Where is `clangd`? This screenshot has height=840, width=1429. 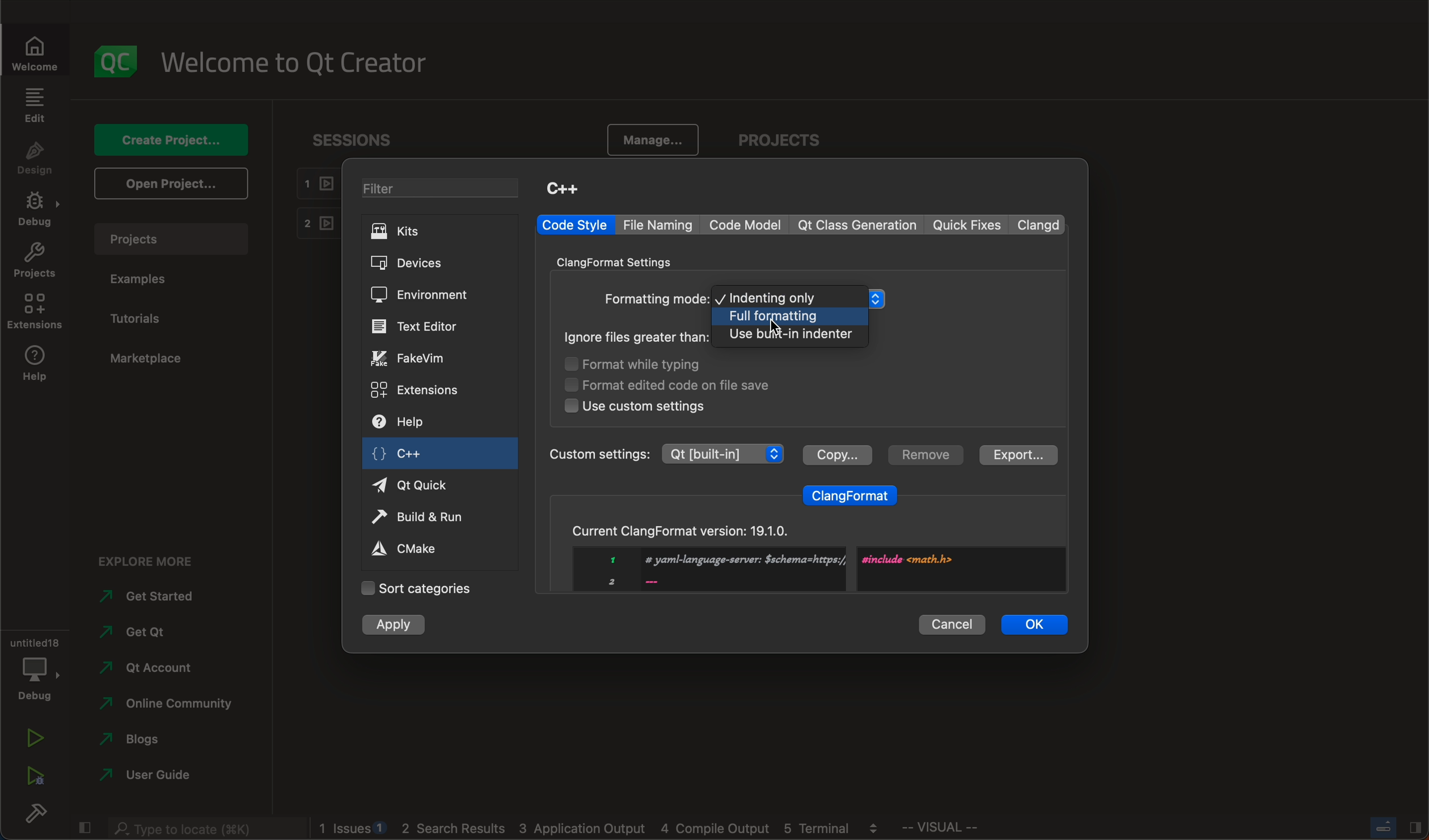 clangd is located at coordinates (1041, 224).